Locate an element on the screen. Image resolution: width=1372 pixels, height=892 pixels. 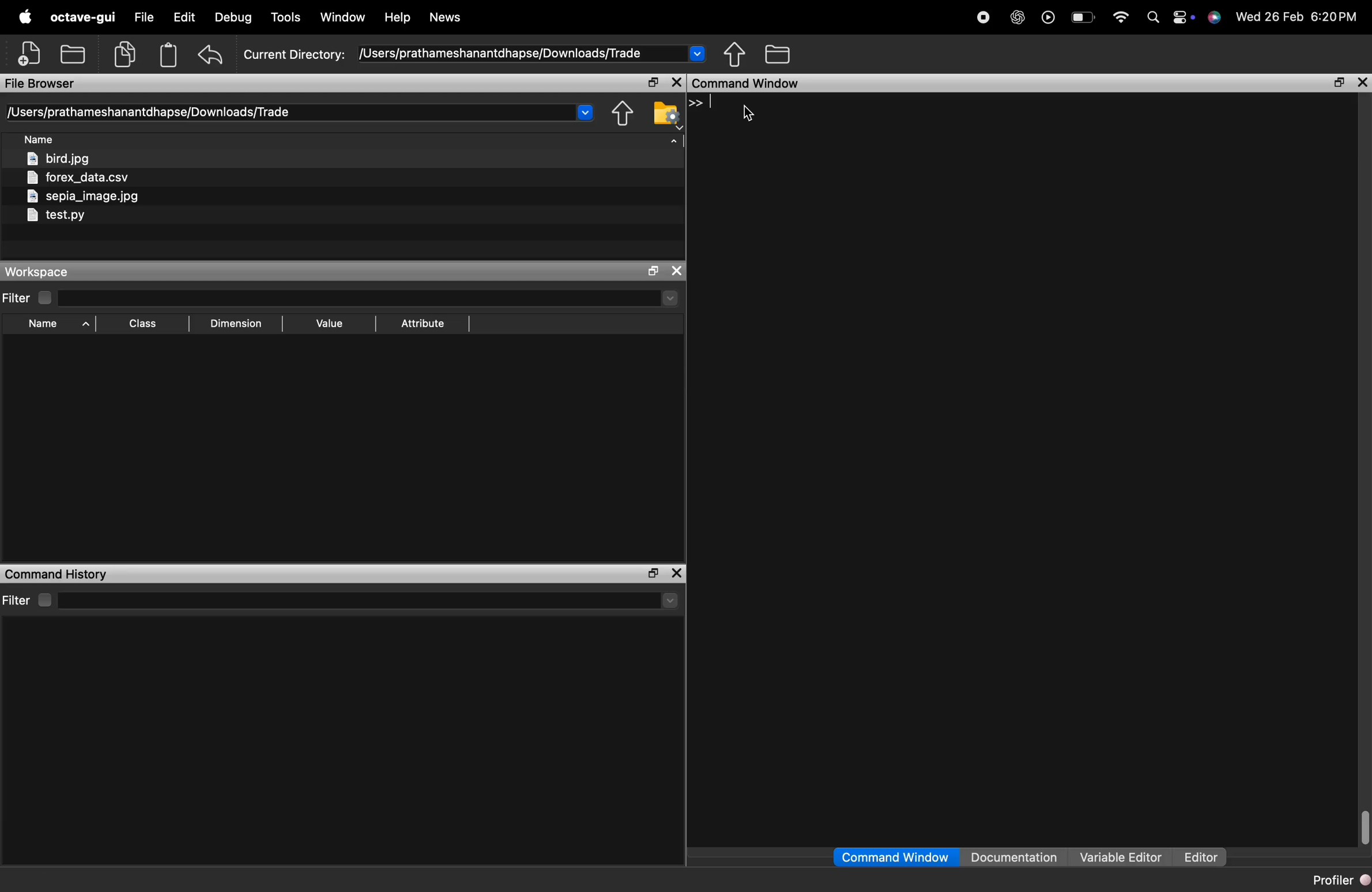
chatgpt is located at coordinates (1017, 17).